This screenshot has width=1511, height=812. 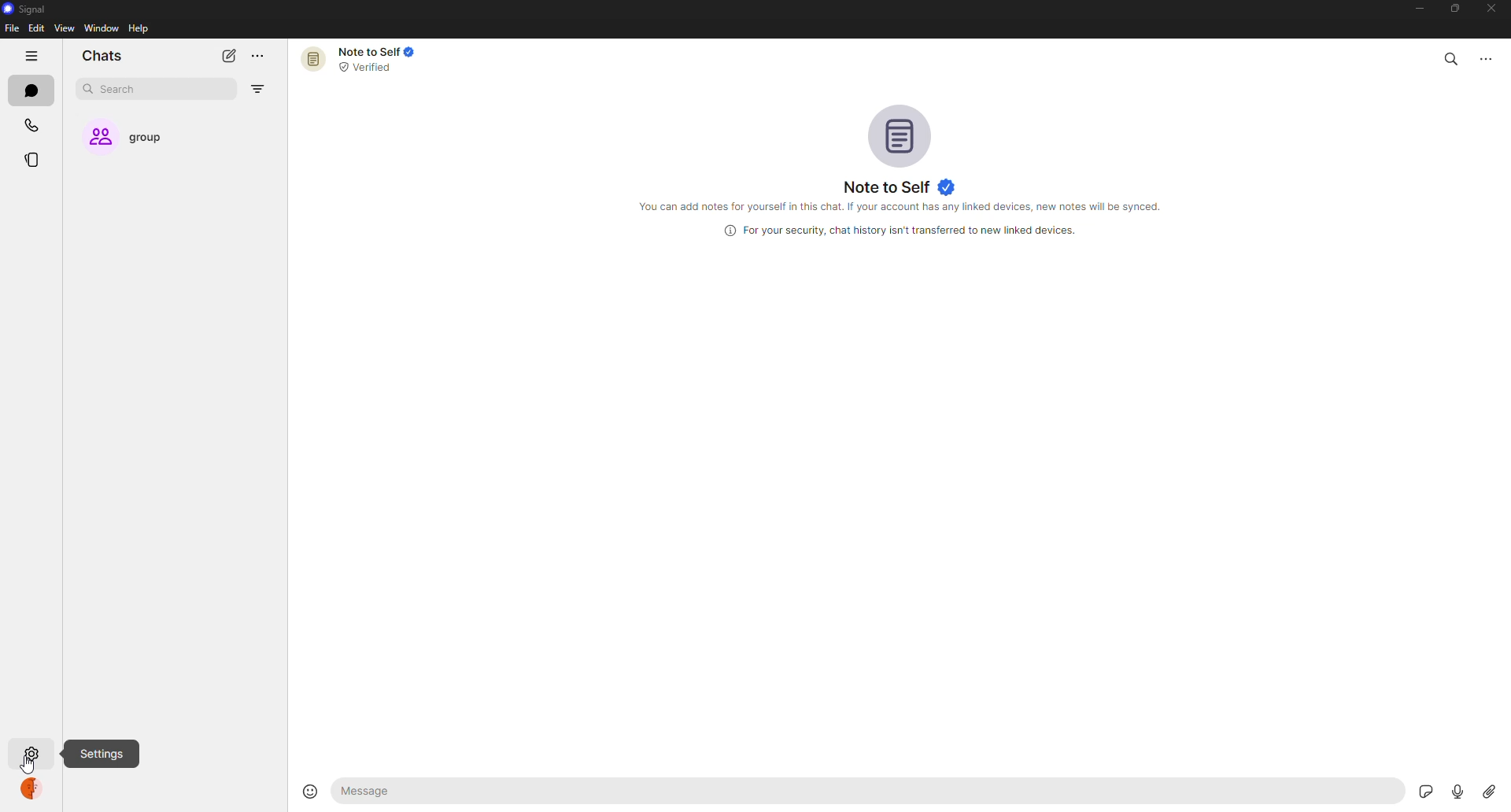 I want to click on emoji, so click(x=305, y=789).